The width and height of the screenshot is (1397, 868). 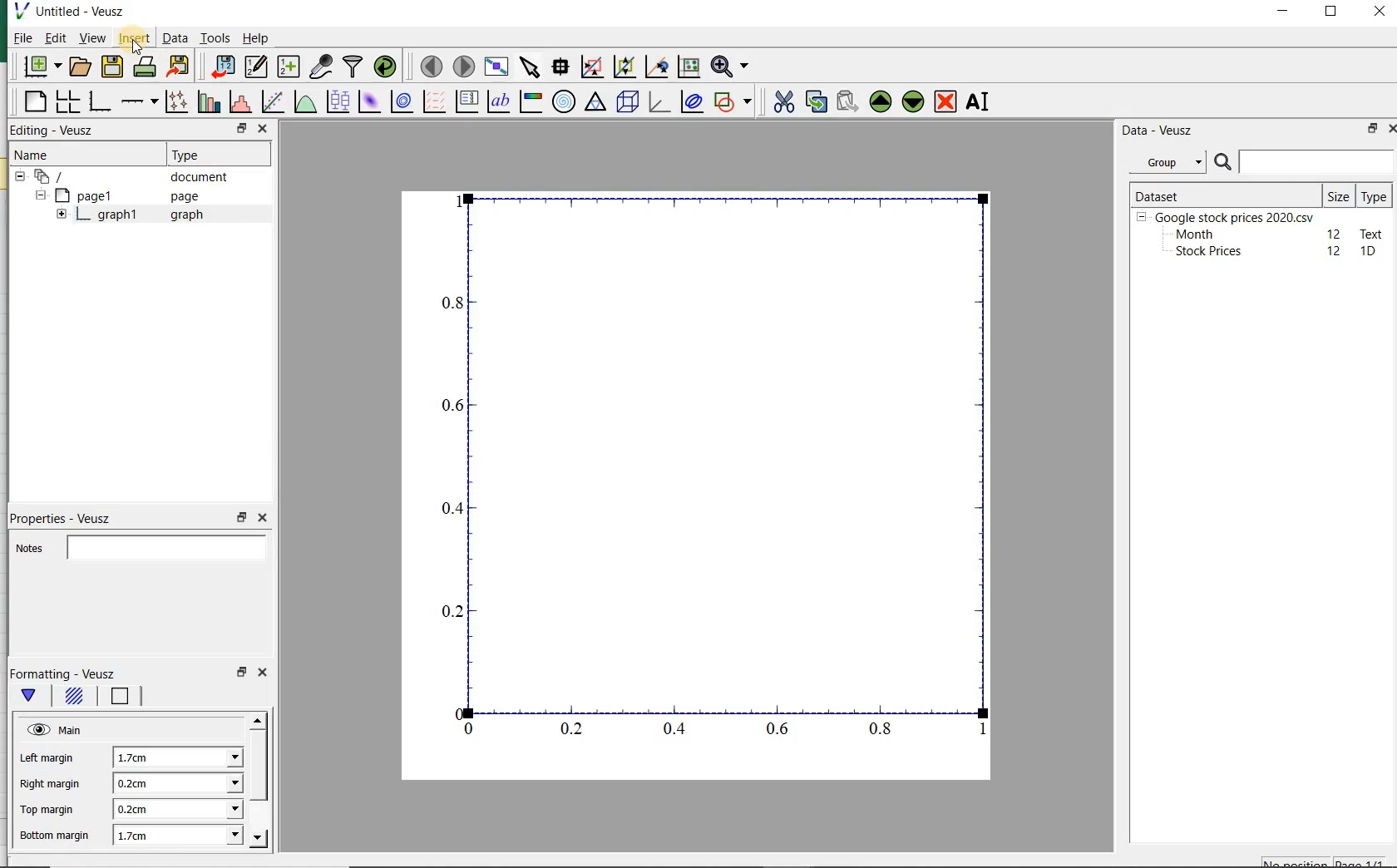 What do you see at coordinates (138, 103) in the screenshot?
I see `add an axis to the plot` at bounding box center [138, 103].